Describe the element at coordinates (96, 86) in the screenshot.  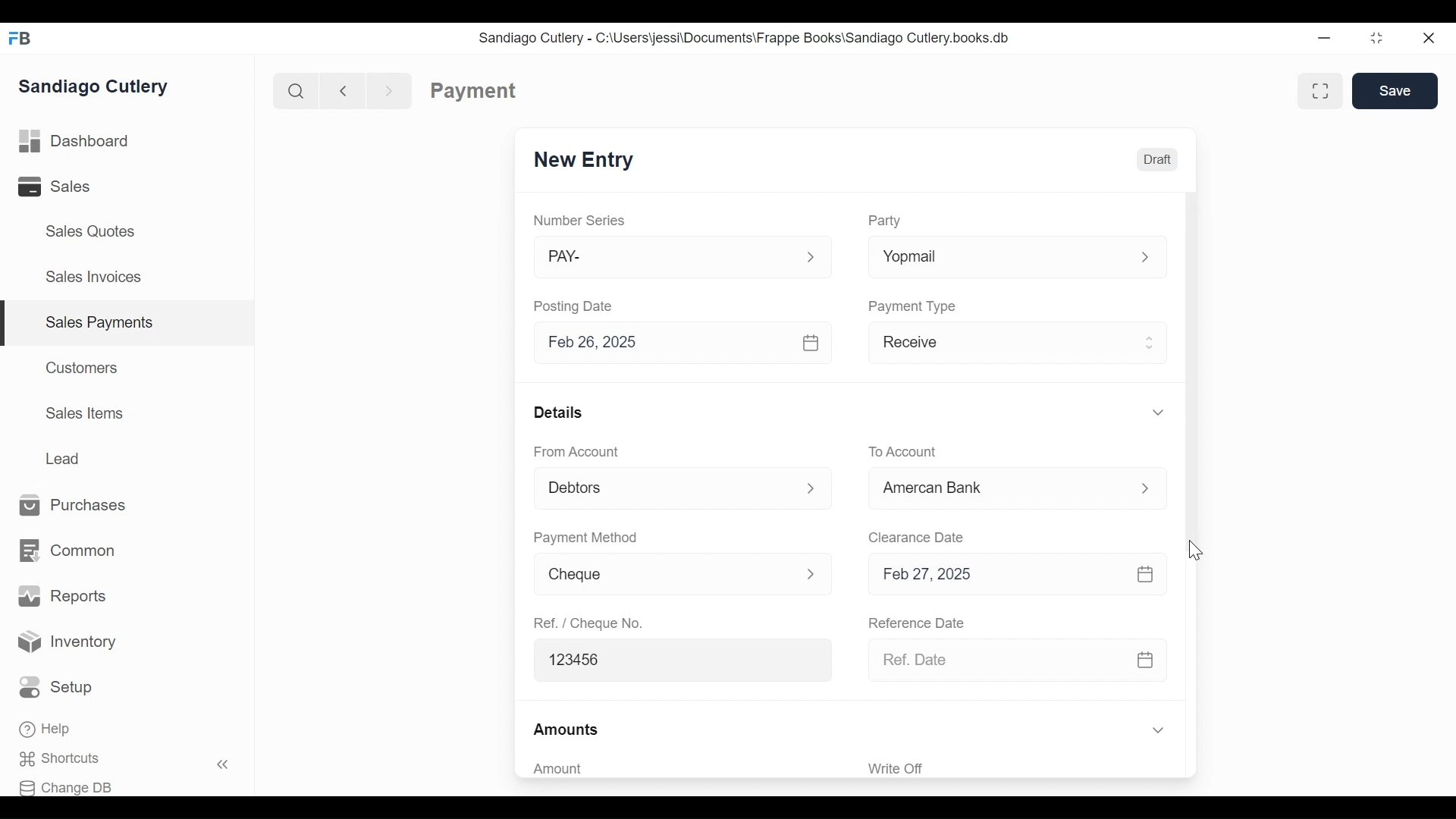
I see `Sandiago Cutlery` at that location.